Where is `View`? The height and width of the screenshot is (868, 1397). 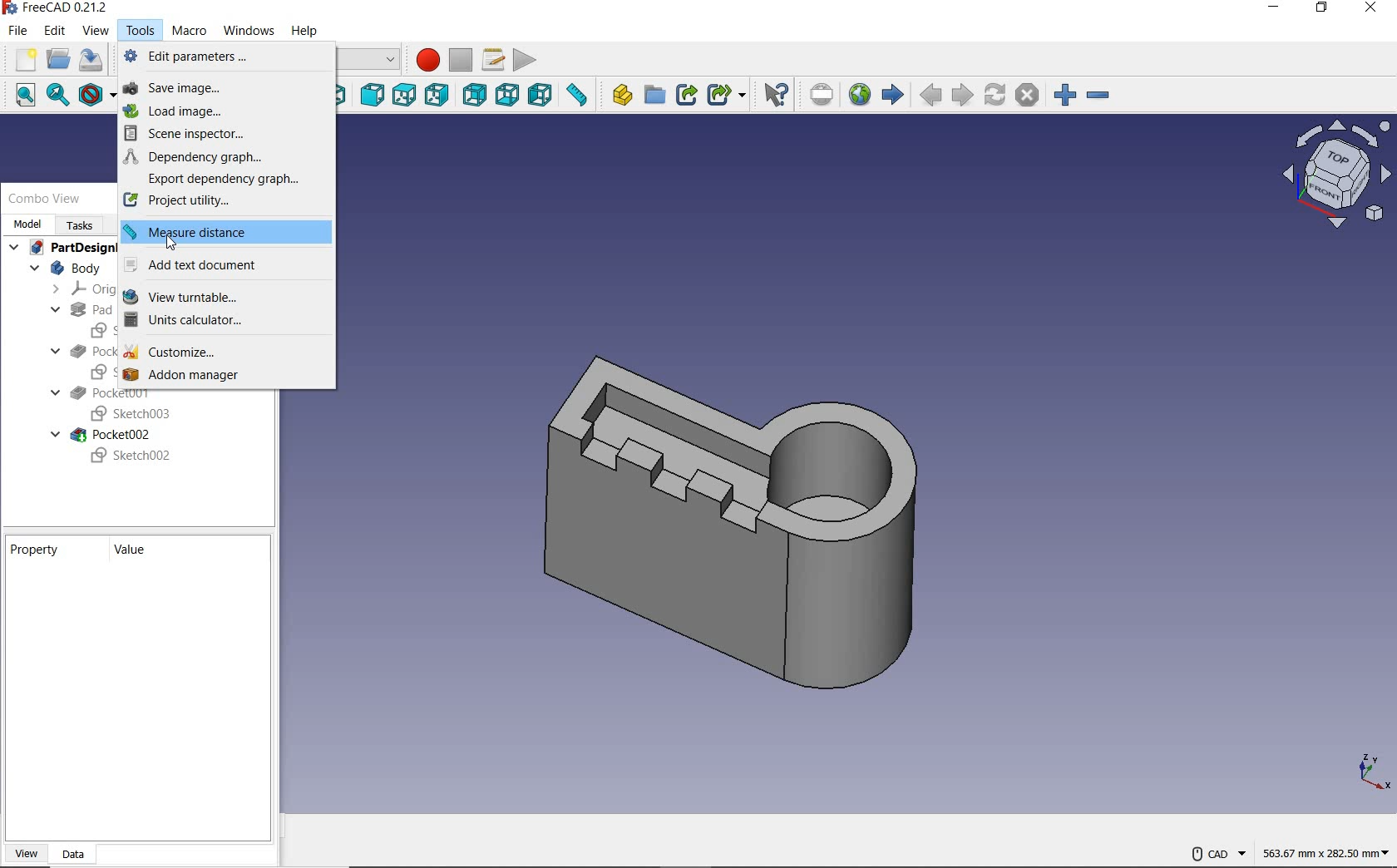
View is located at coordinates (27, 850).